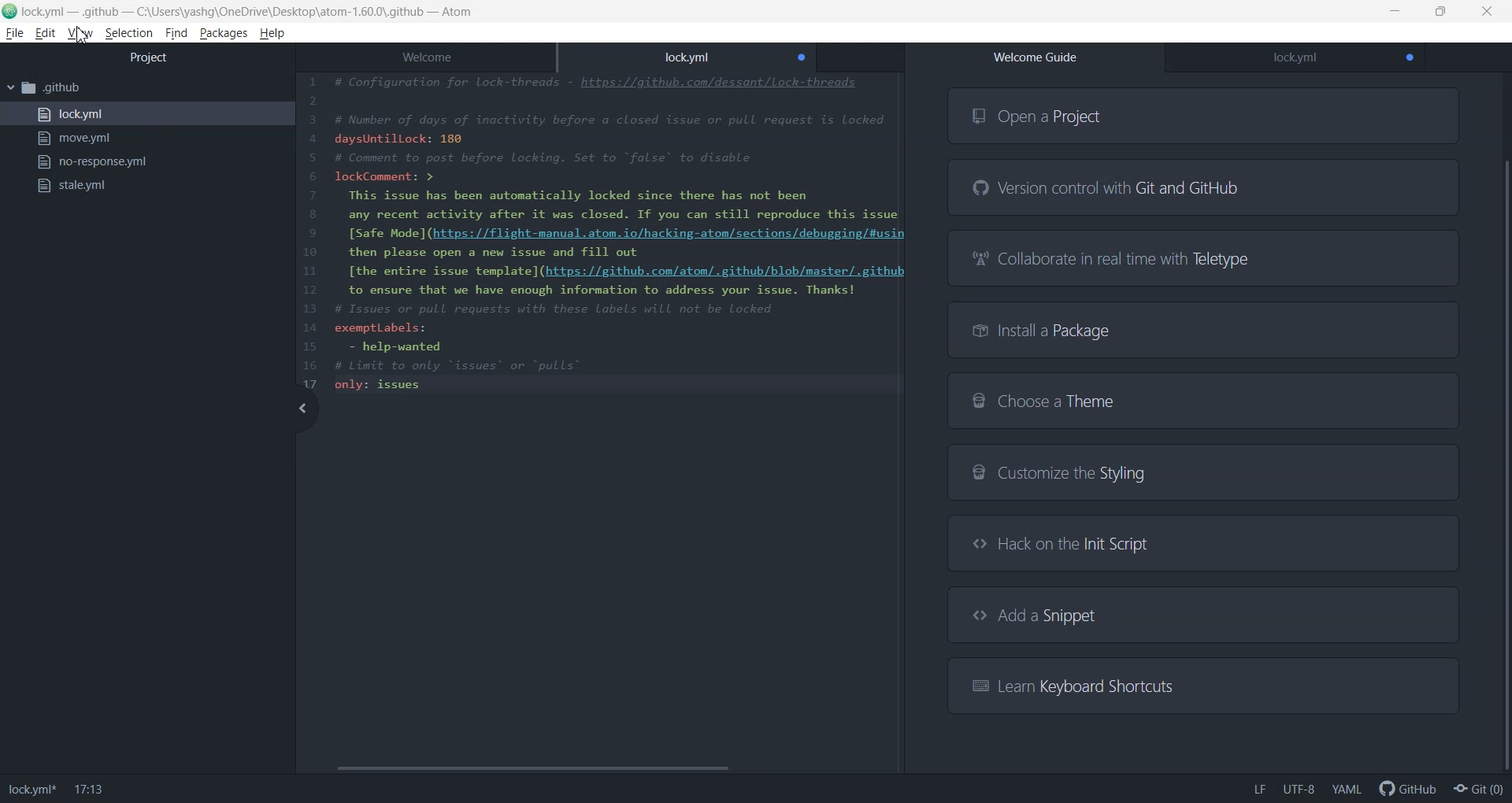 This screenshot has height=803, width=1512. I want to click on Welcome guide, so click(1035, 57).